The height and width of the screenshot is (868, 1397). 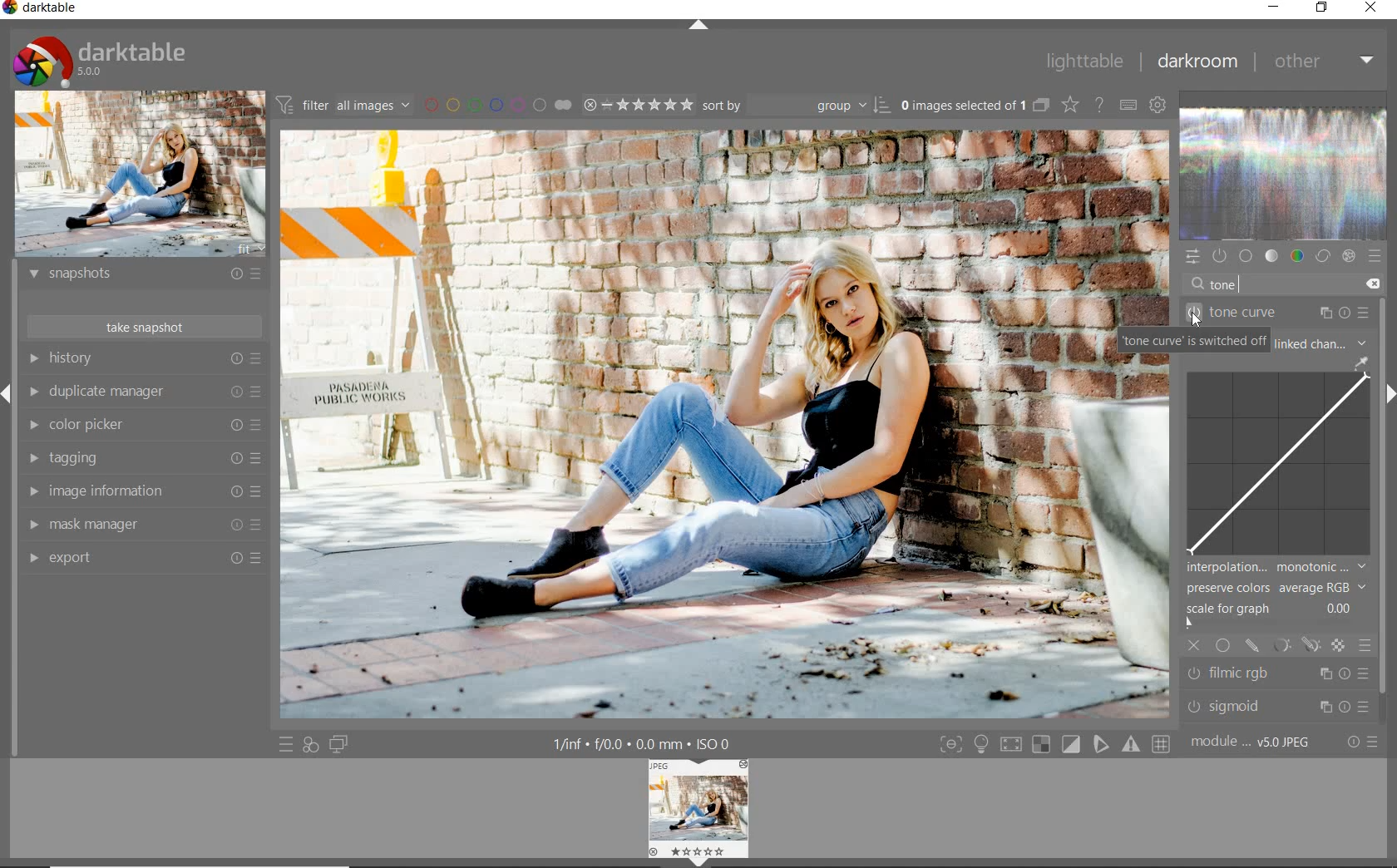 What do you see at coordinates (146, 394) in the screenshot?
I see `duplicate manager` at bounding box center [146, 394].